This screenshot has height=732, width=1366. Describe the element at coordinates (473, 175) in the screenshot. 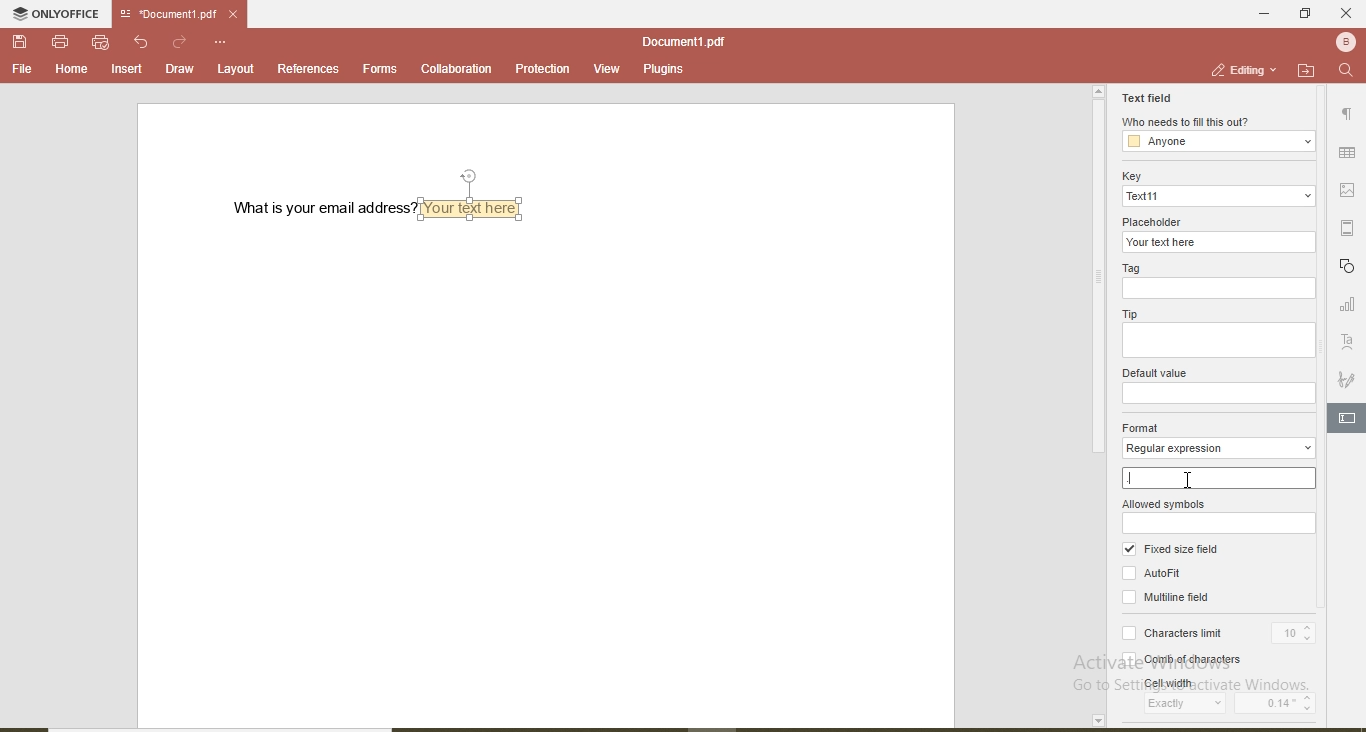

I see `position text box` at that location.